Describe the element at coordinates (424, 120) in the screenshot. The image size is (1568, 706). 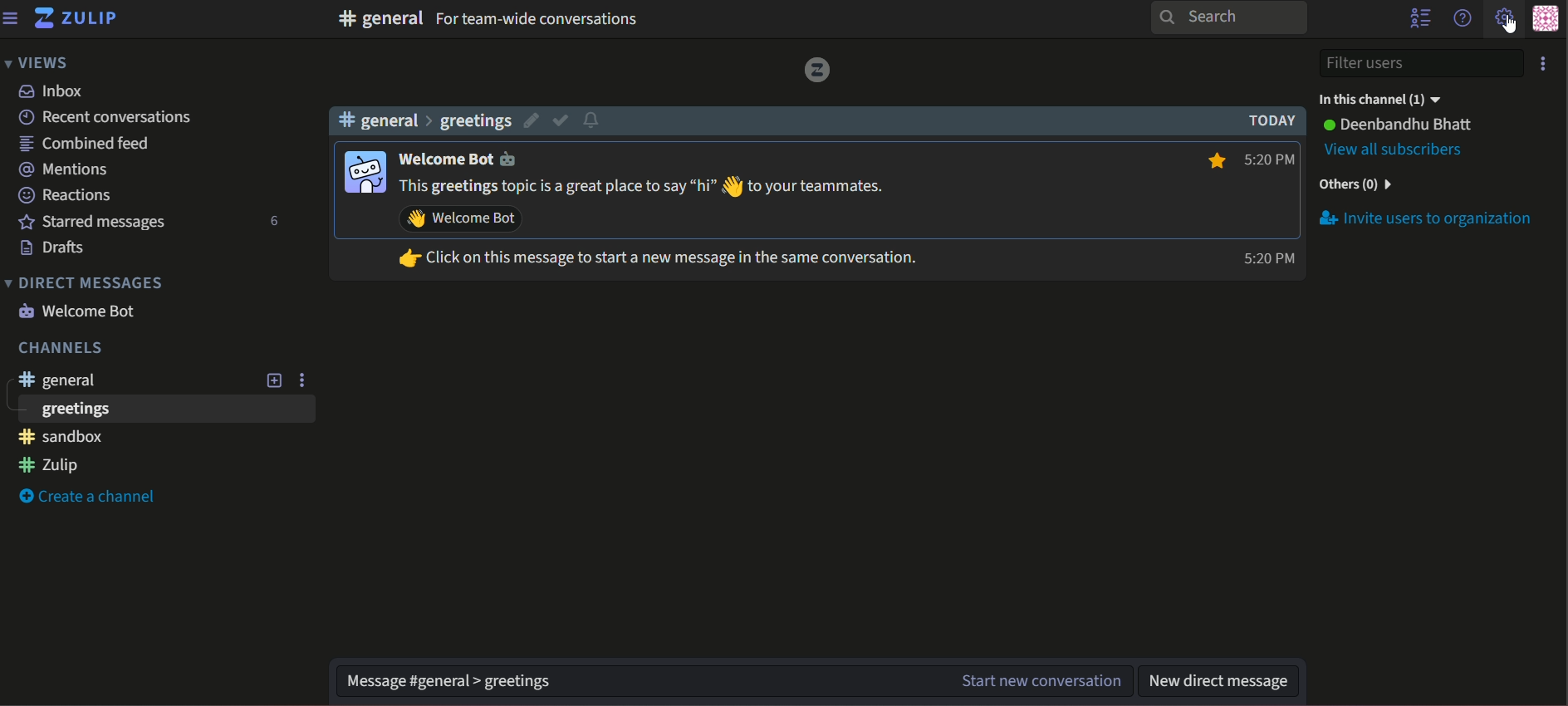
I see `channels` at that location.